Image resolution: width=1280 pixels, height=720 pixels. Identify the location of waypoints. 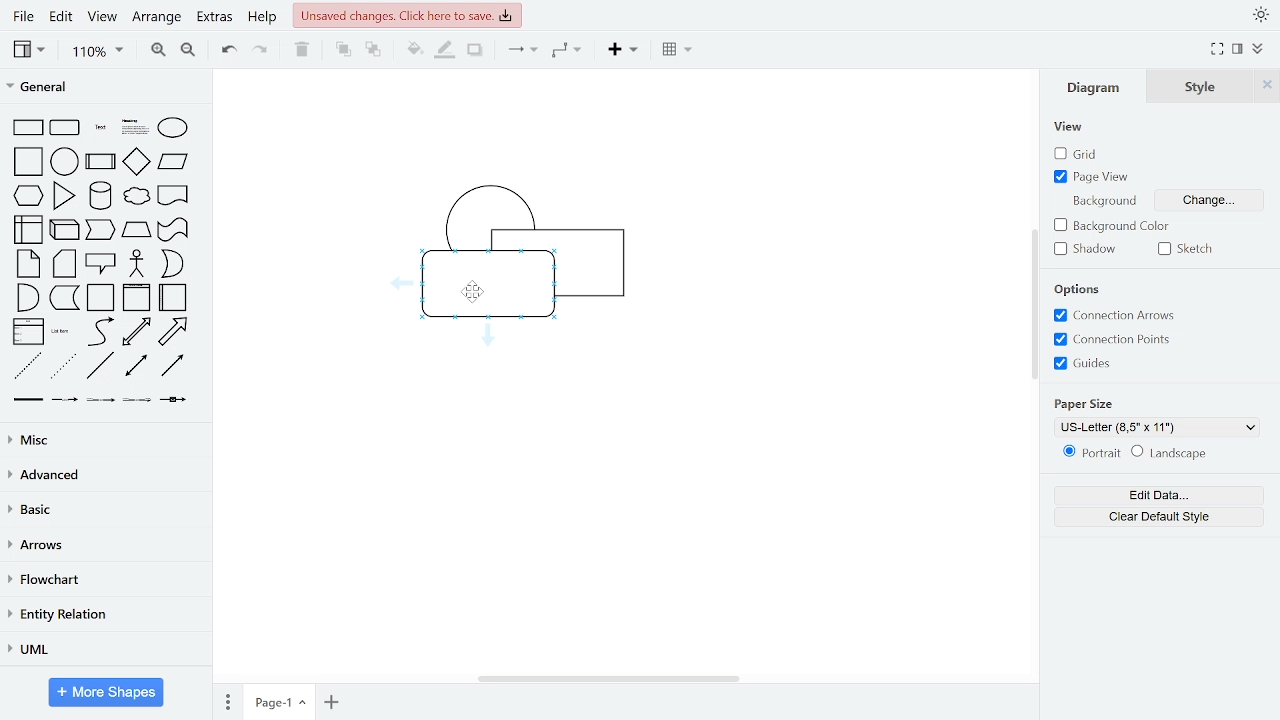
(568, 52).